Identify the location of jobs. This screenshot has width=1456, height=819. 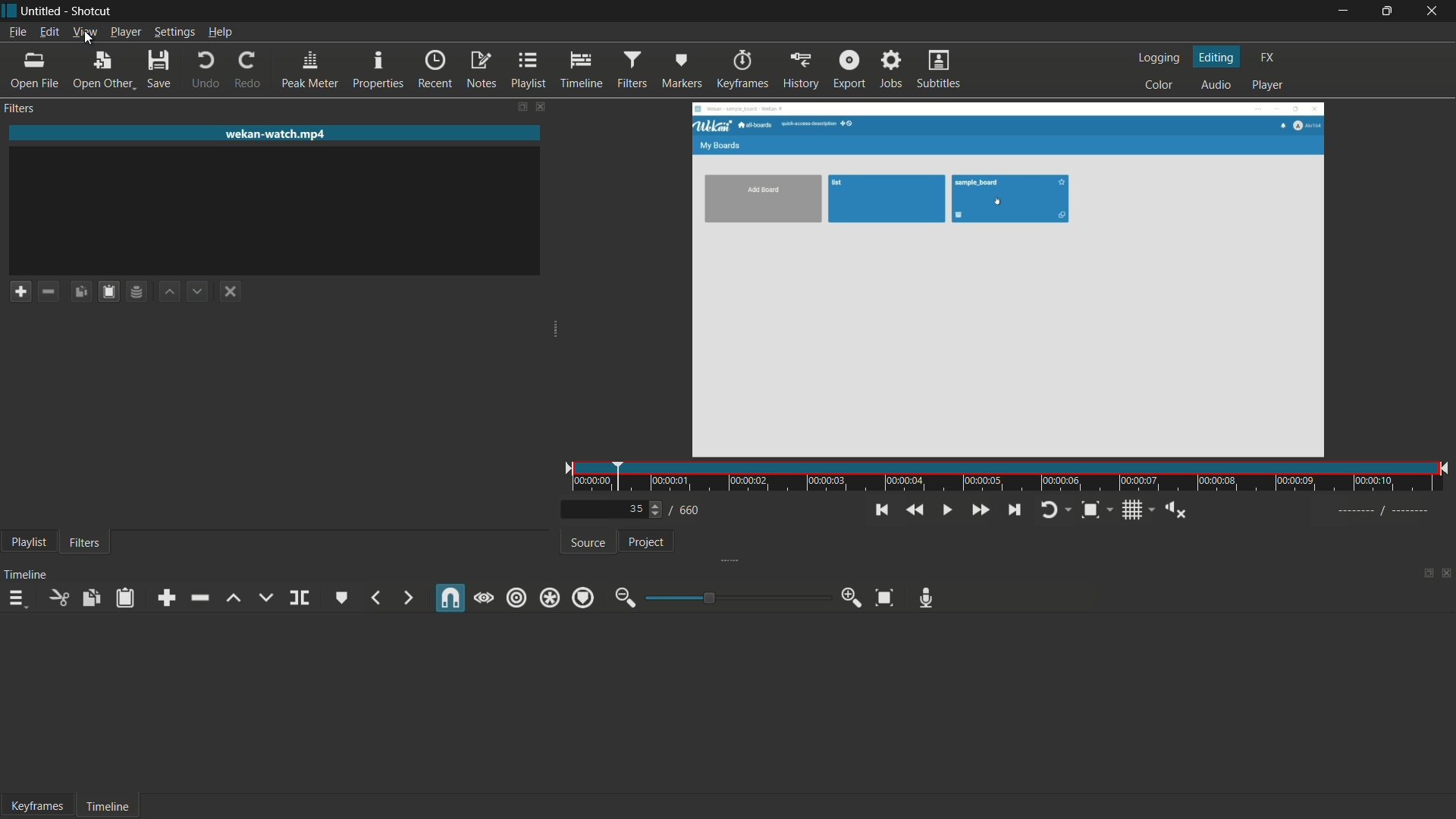
(889, 70).